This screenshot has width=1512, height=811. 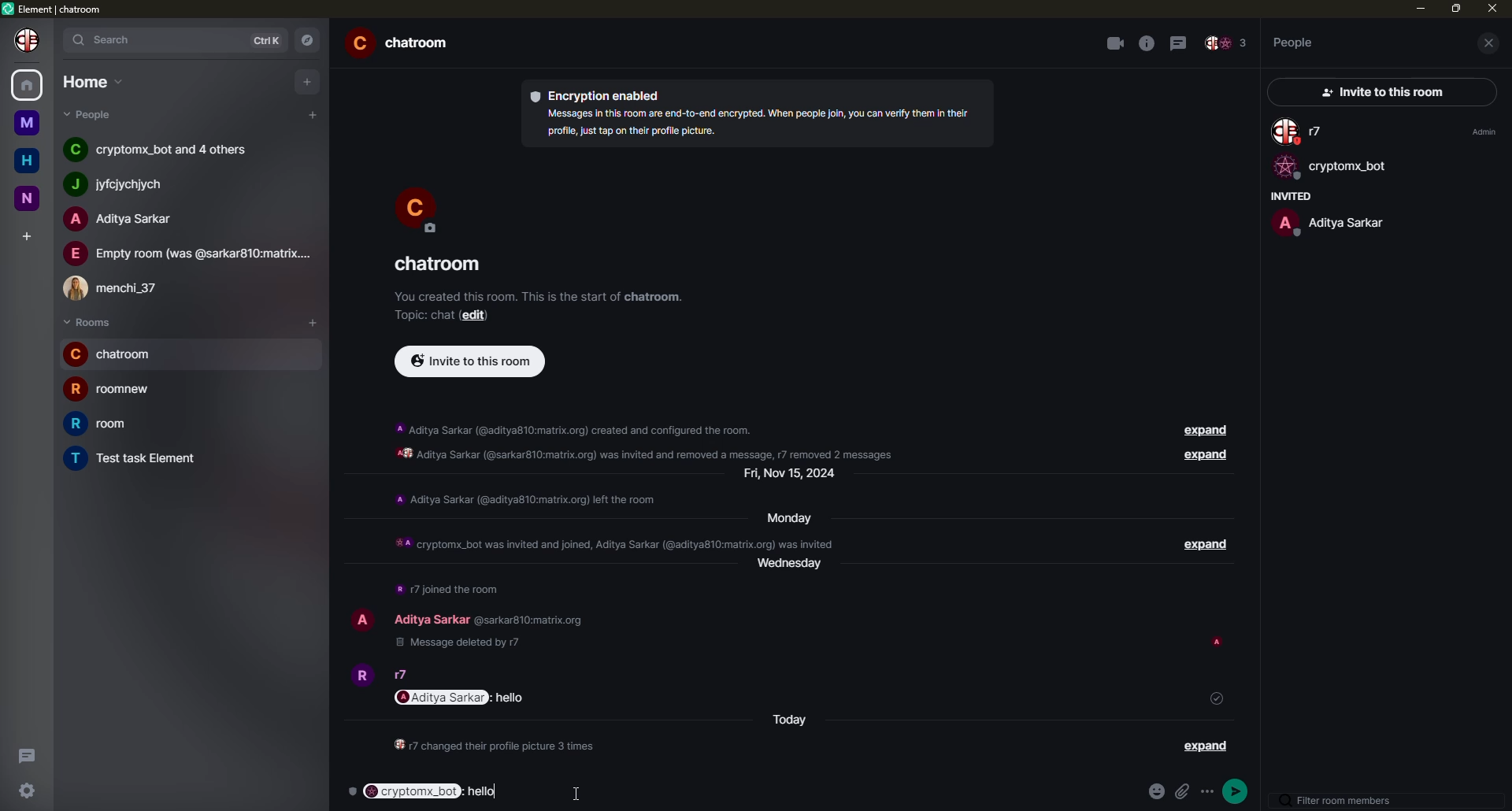 I want to click on sent, so click(x=1217, y=698).